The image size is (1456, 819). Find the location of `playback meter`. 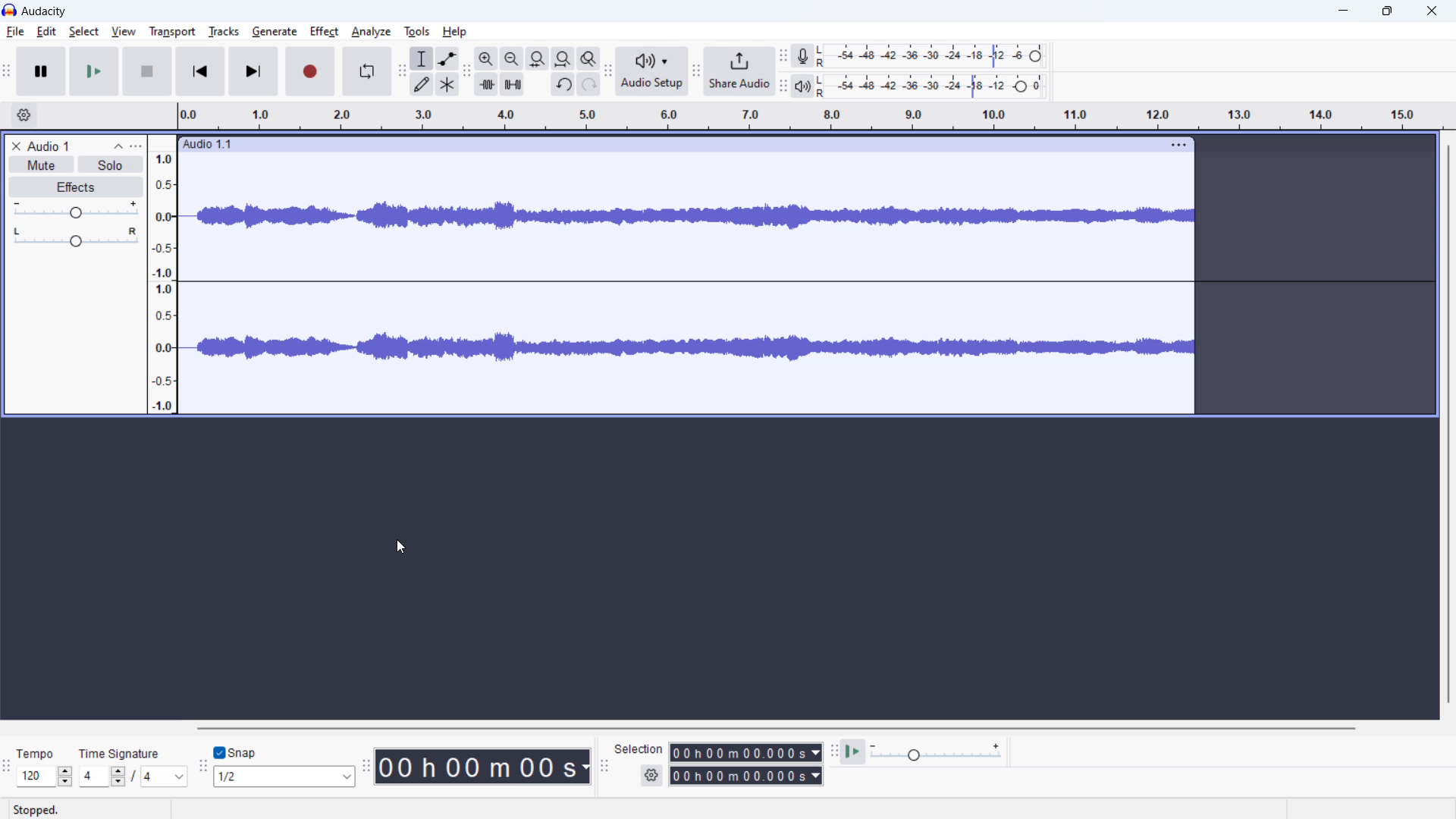

playback meter is located at coordinates (803, 86).